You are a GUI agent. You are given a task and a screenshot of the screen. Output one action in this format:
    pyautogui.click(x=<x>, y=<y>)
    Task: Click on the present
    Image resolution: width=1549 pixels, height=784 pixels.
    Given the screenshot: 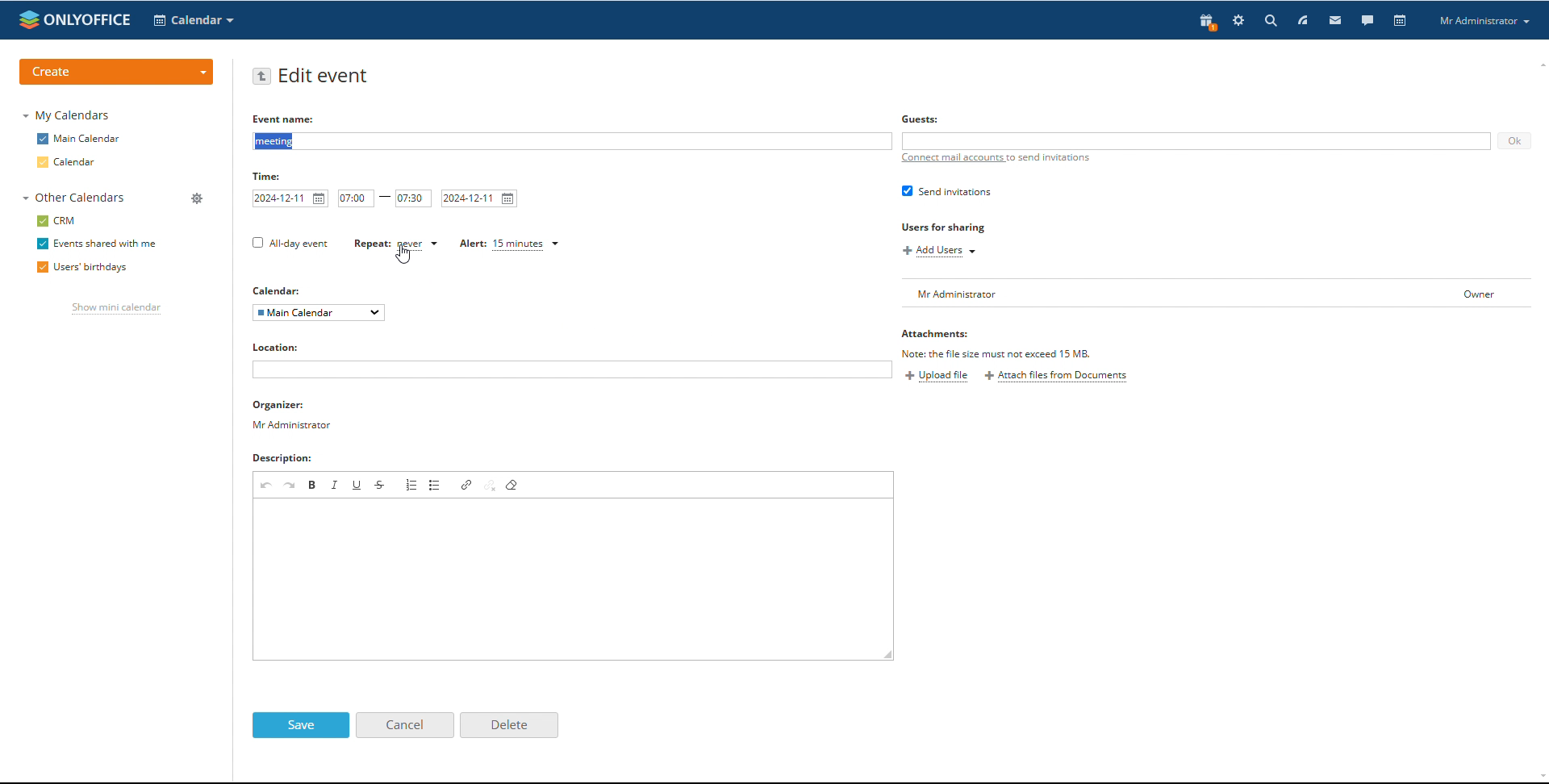 What is the action you would take?
    pyautogui.click(x=1208, y=21)
    